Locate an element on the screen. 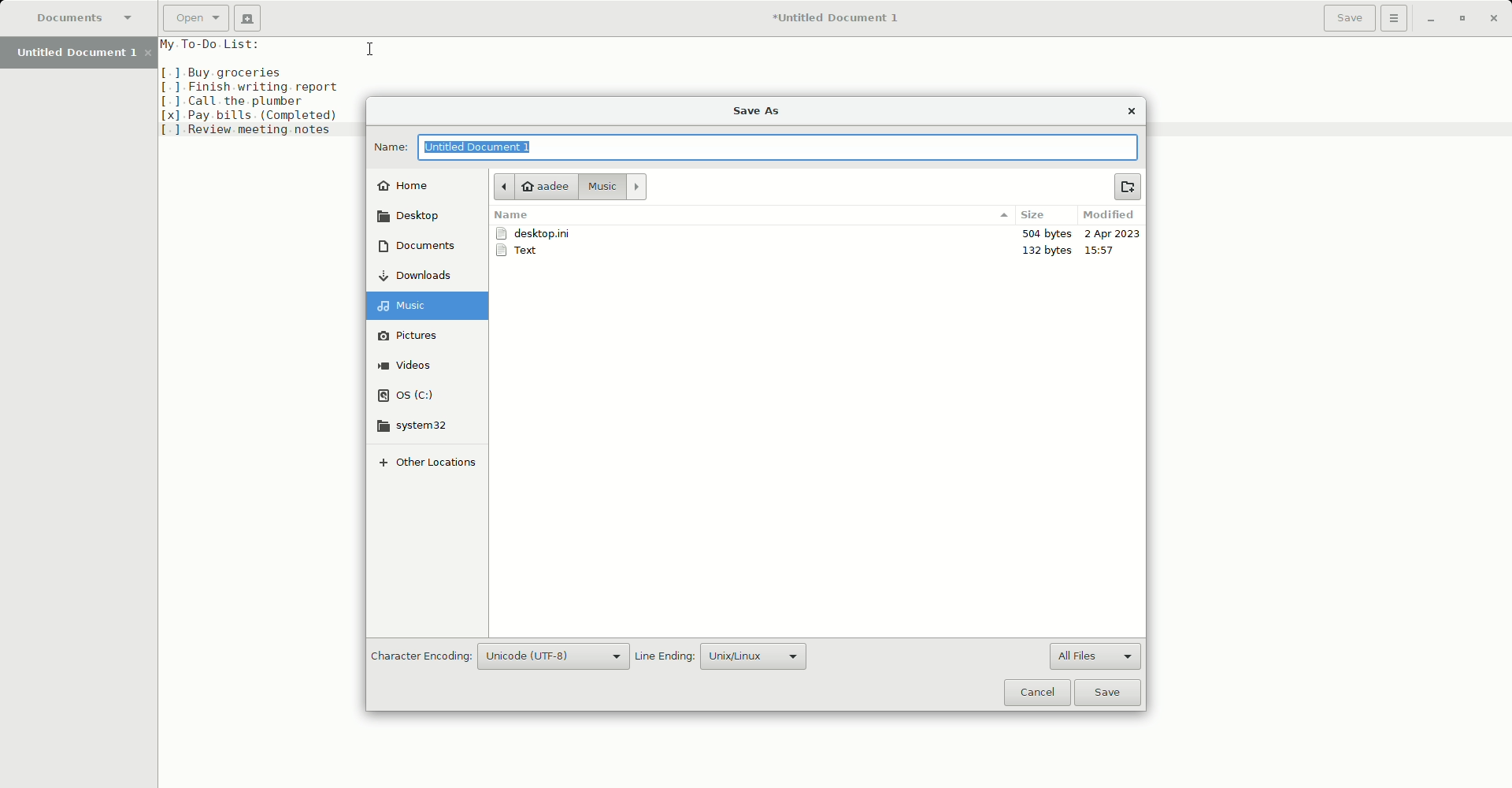 The width and height of the screenshot is (1512, 788). Save As is located at coordinates (758, 111).